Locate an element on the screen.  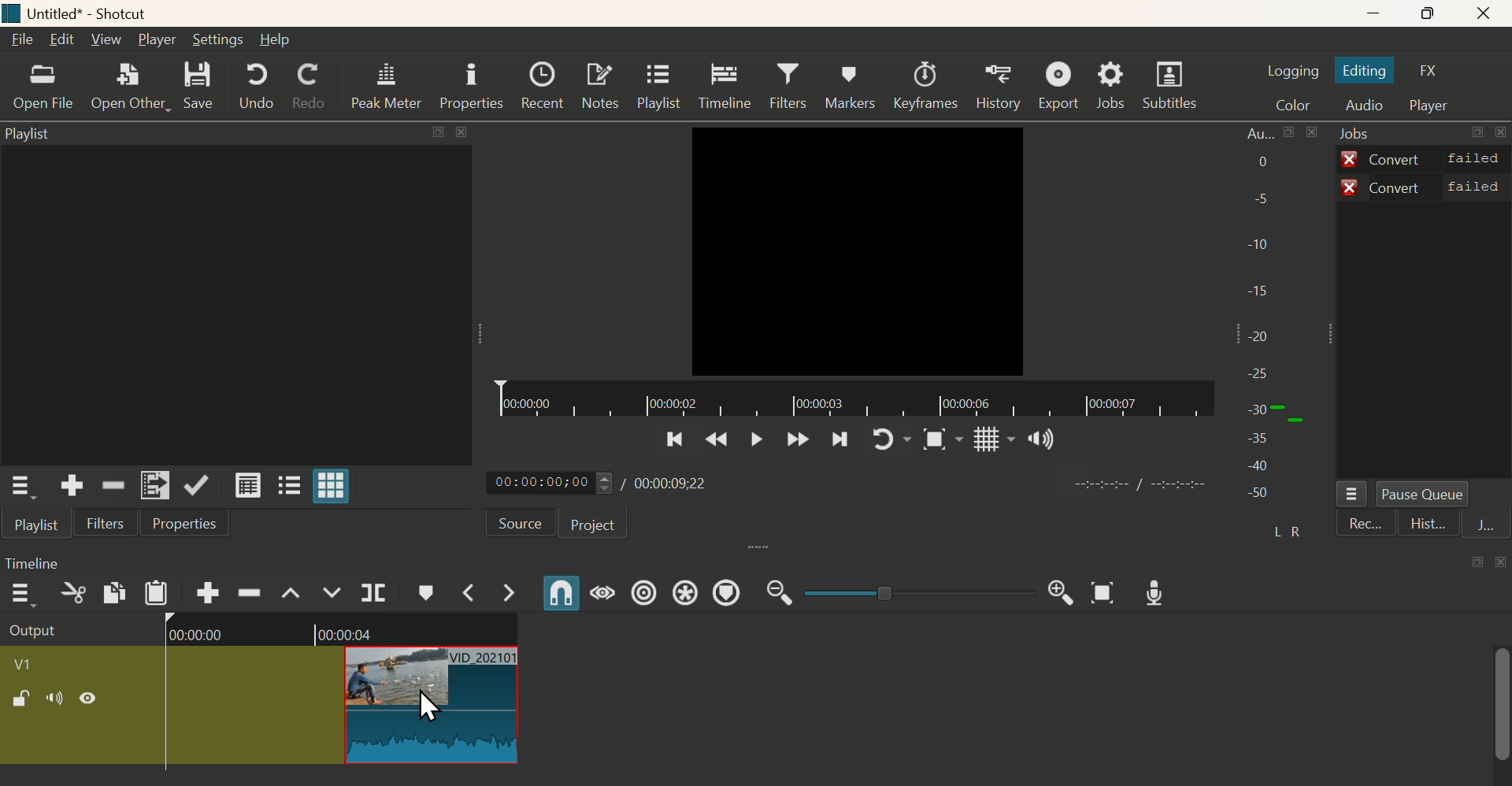
Video Ended is located at coordinates (856, 250).